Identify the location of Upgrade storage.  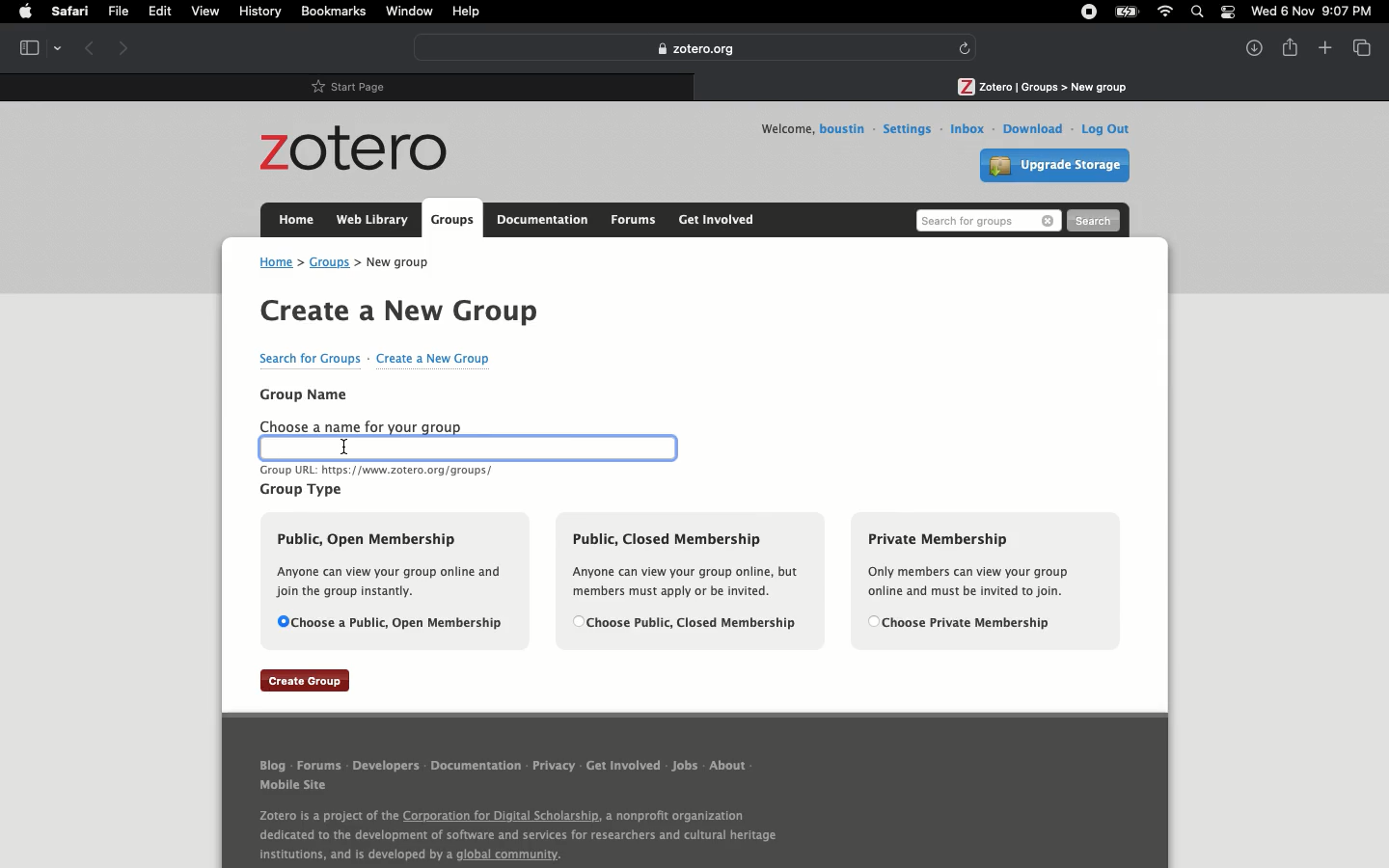
(1057, 168).